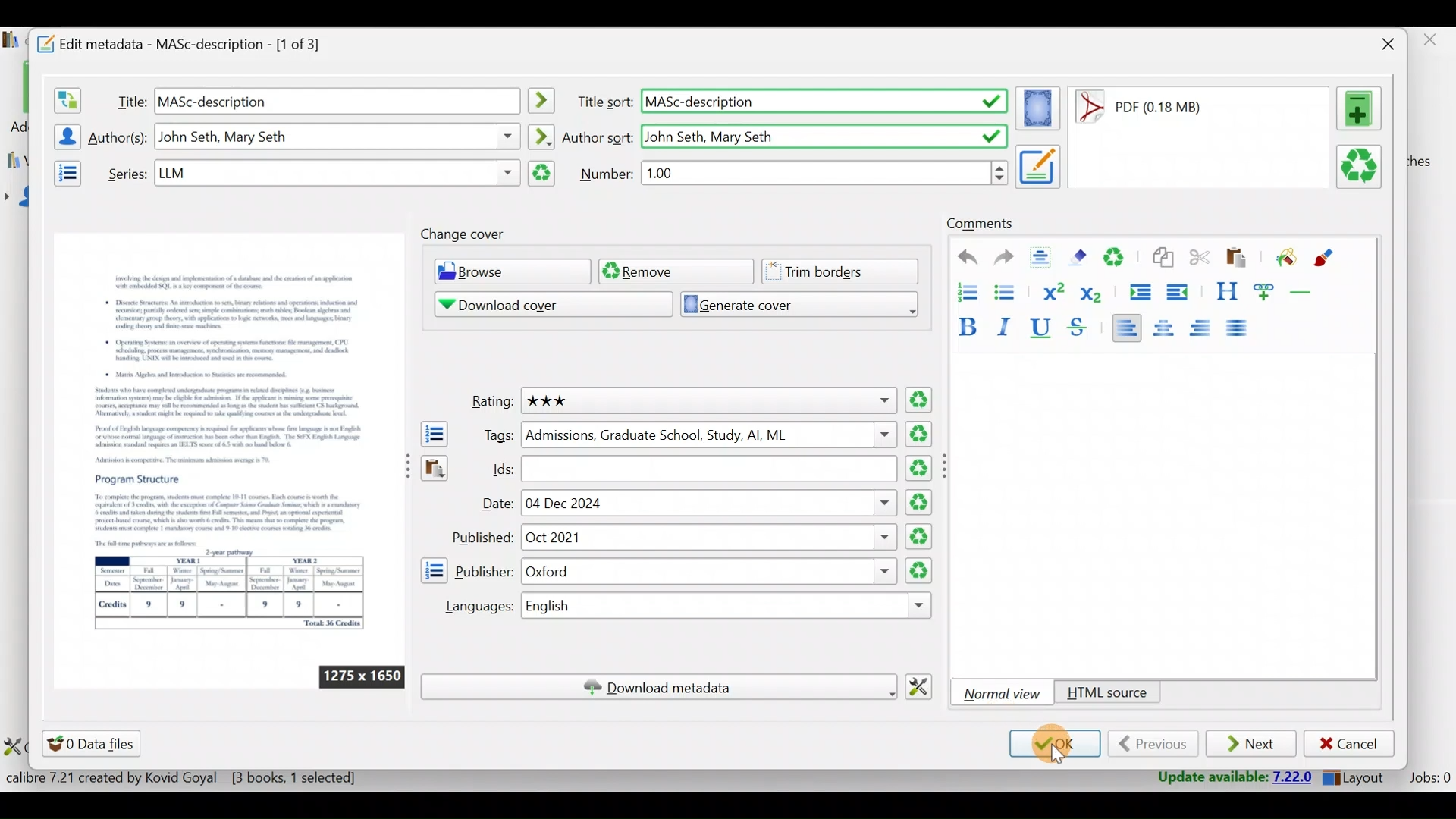  What do you see at coordinates (485, 570) in the screenshot?
I see `Publisher` at bounding box center [485, 570].